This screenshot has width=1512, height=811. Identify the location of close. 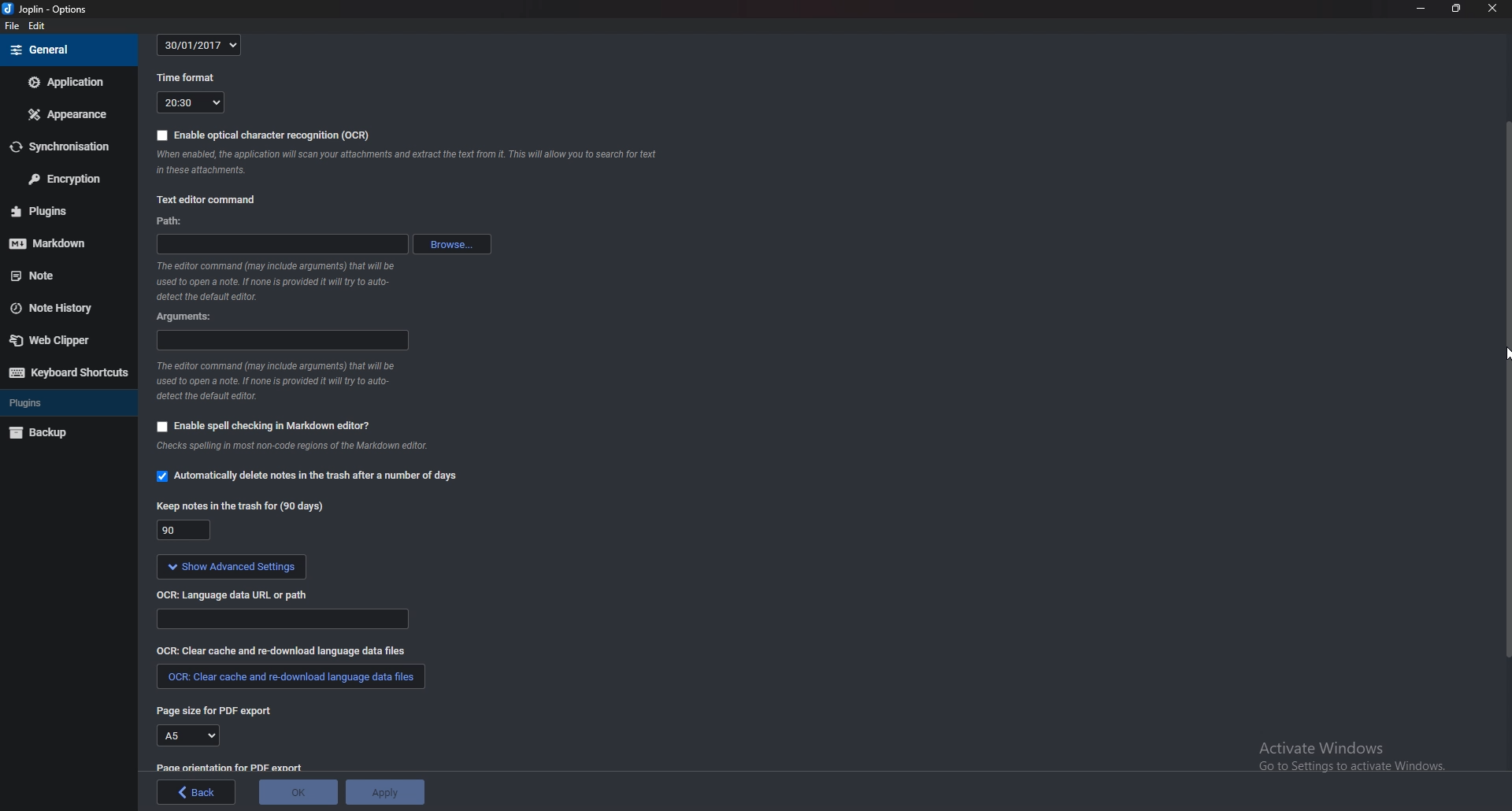
(1492, 9).